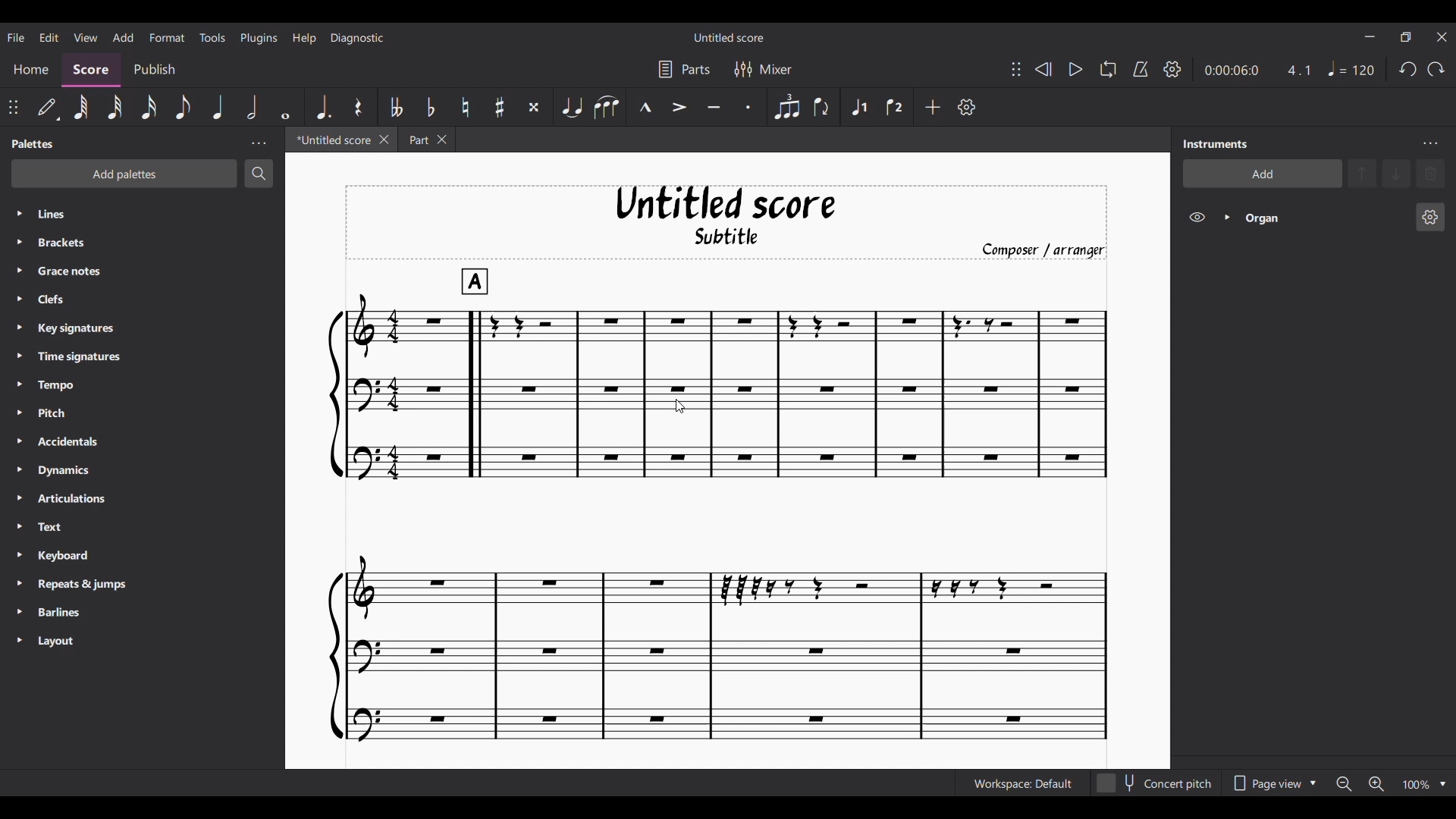 The height and width of the screenshot is (819, 1456). I want to click on Slur, so click(607, 108).